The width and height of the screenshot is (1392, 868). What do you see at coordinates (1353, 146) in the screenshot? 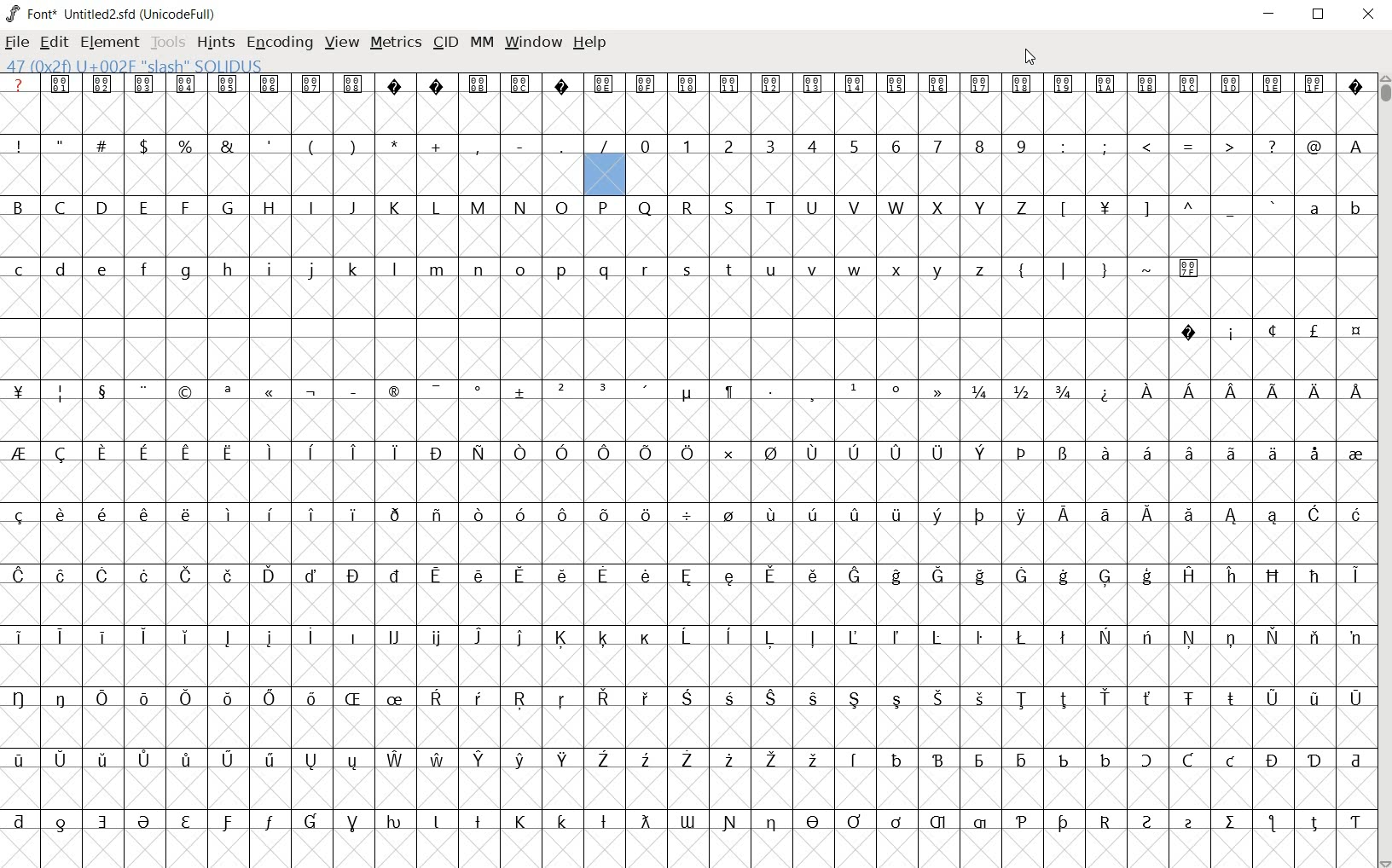
I see `A` at bounding box center [1353, 146].